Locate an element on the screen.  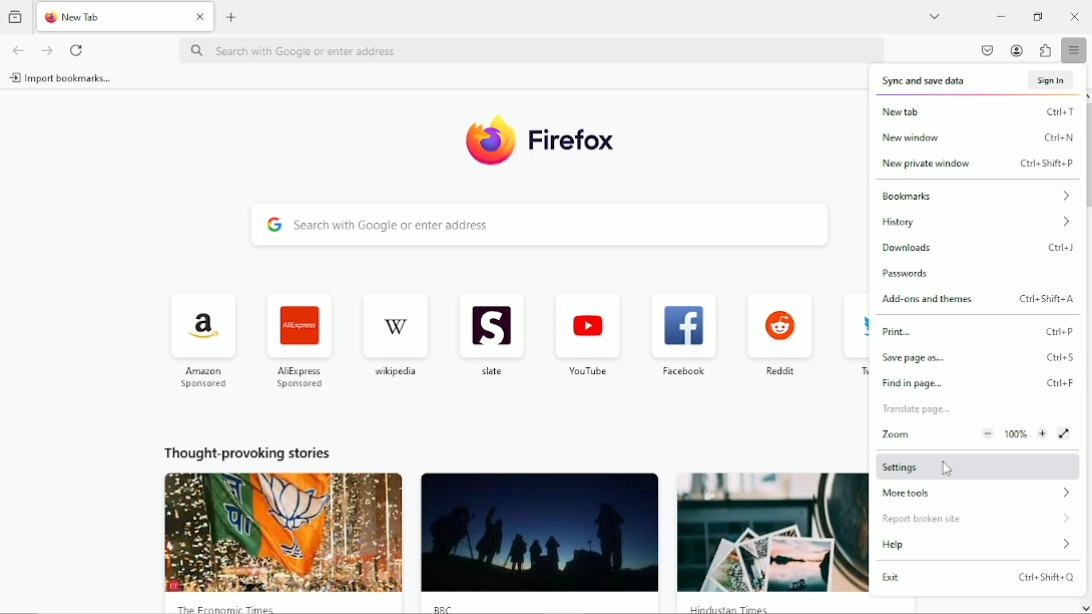
print is located at coordinates (930, 331).